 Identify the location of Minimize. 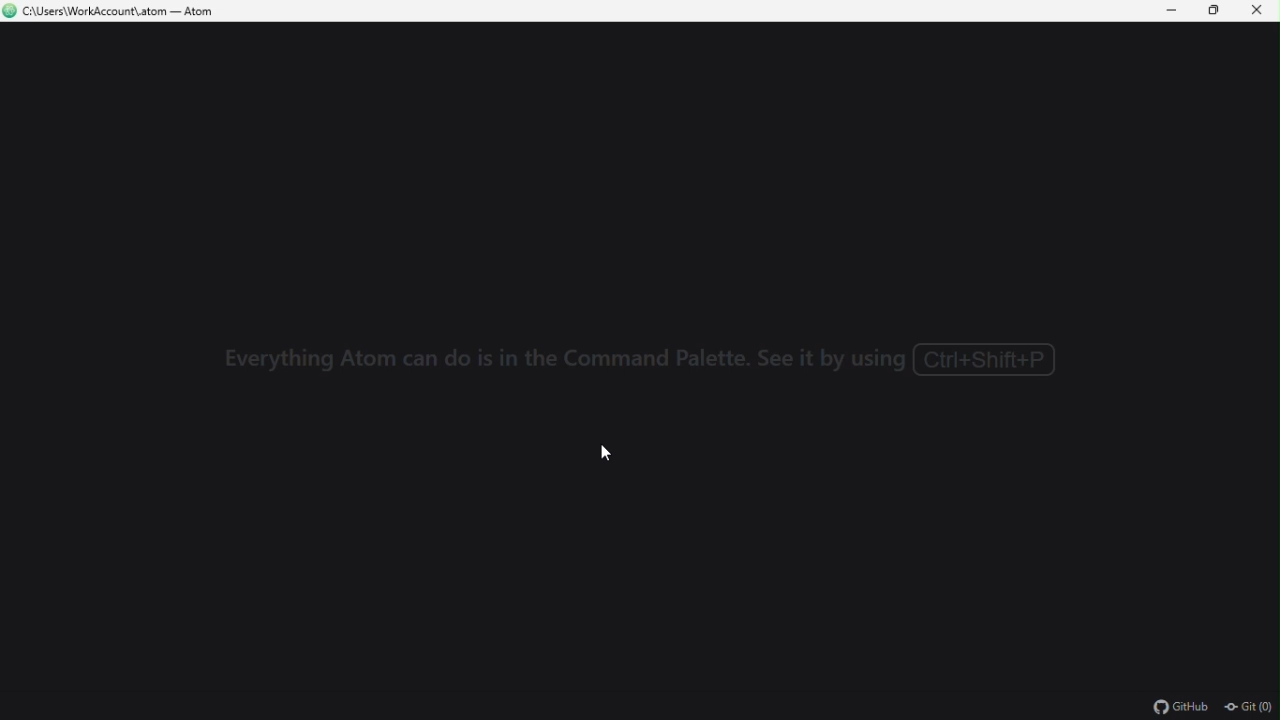
(1165, 12).